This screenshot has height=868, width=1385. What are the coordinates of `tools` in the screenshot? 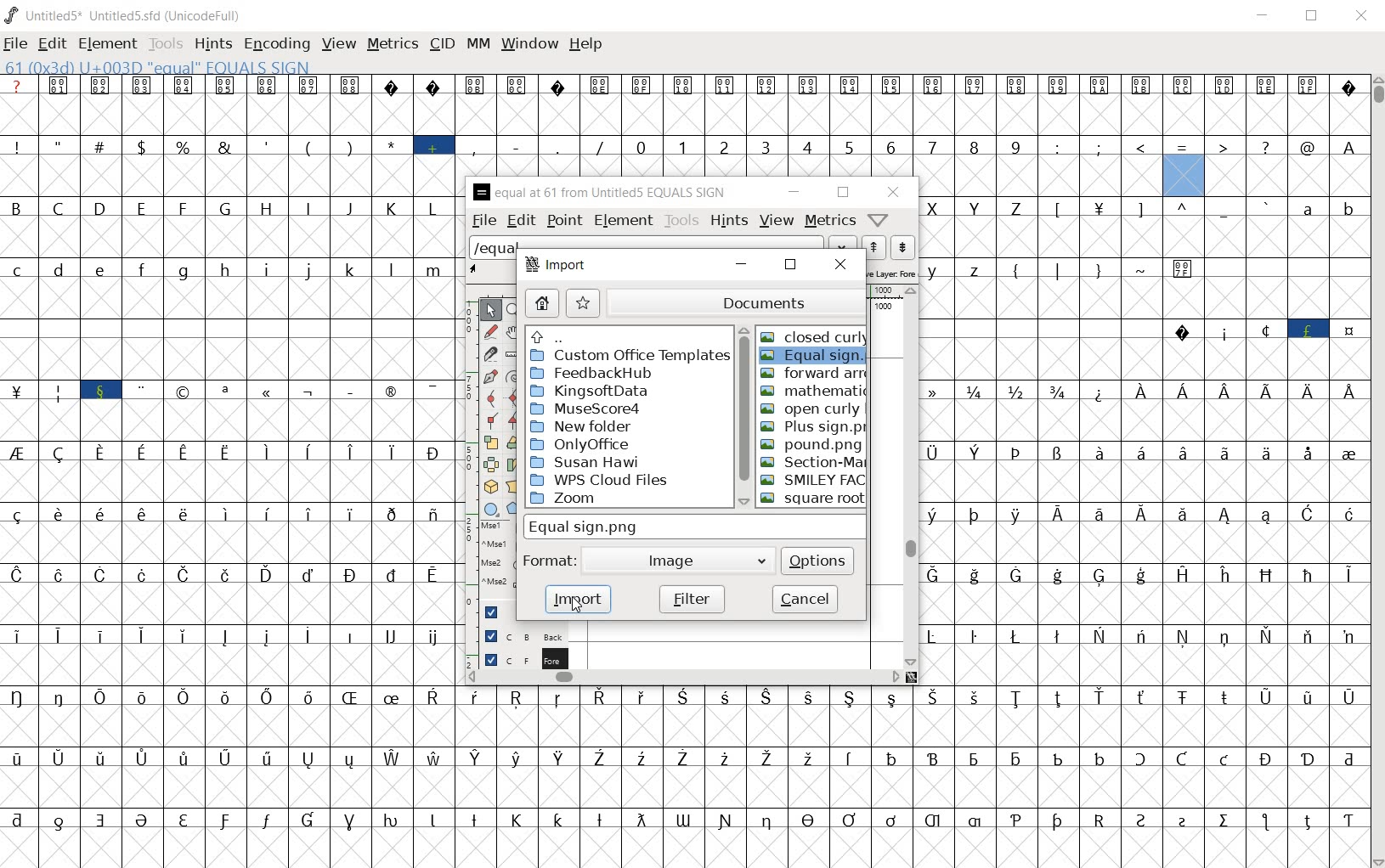 It's located at (681, 220).